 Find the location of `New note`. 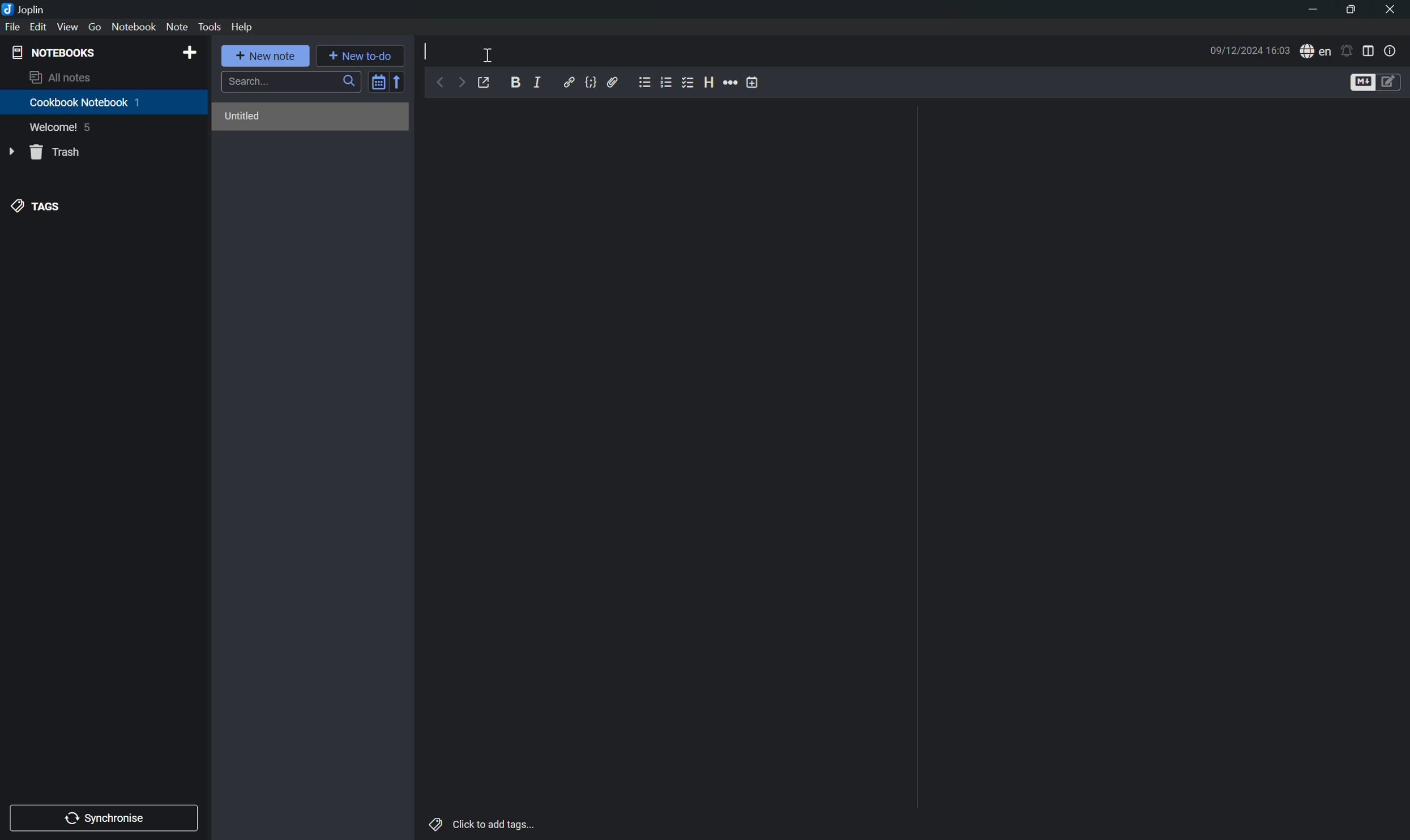

New note is located at coordinates (266, 54).